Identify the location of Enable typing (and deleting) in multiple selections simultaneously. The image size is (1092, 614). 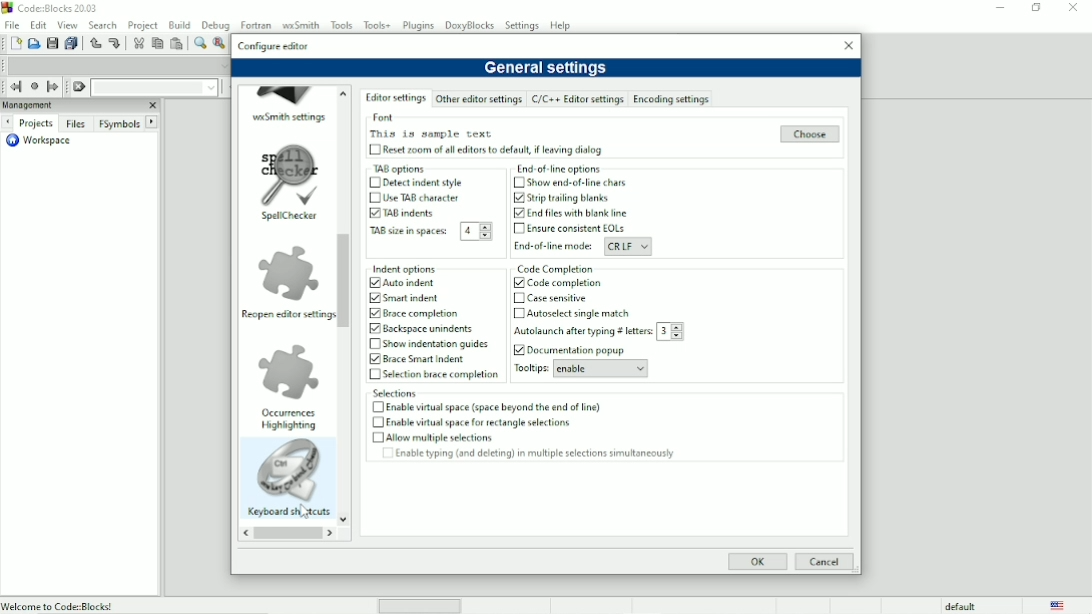
(544, 454).